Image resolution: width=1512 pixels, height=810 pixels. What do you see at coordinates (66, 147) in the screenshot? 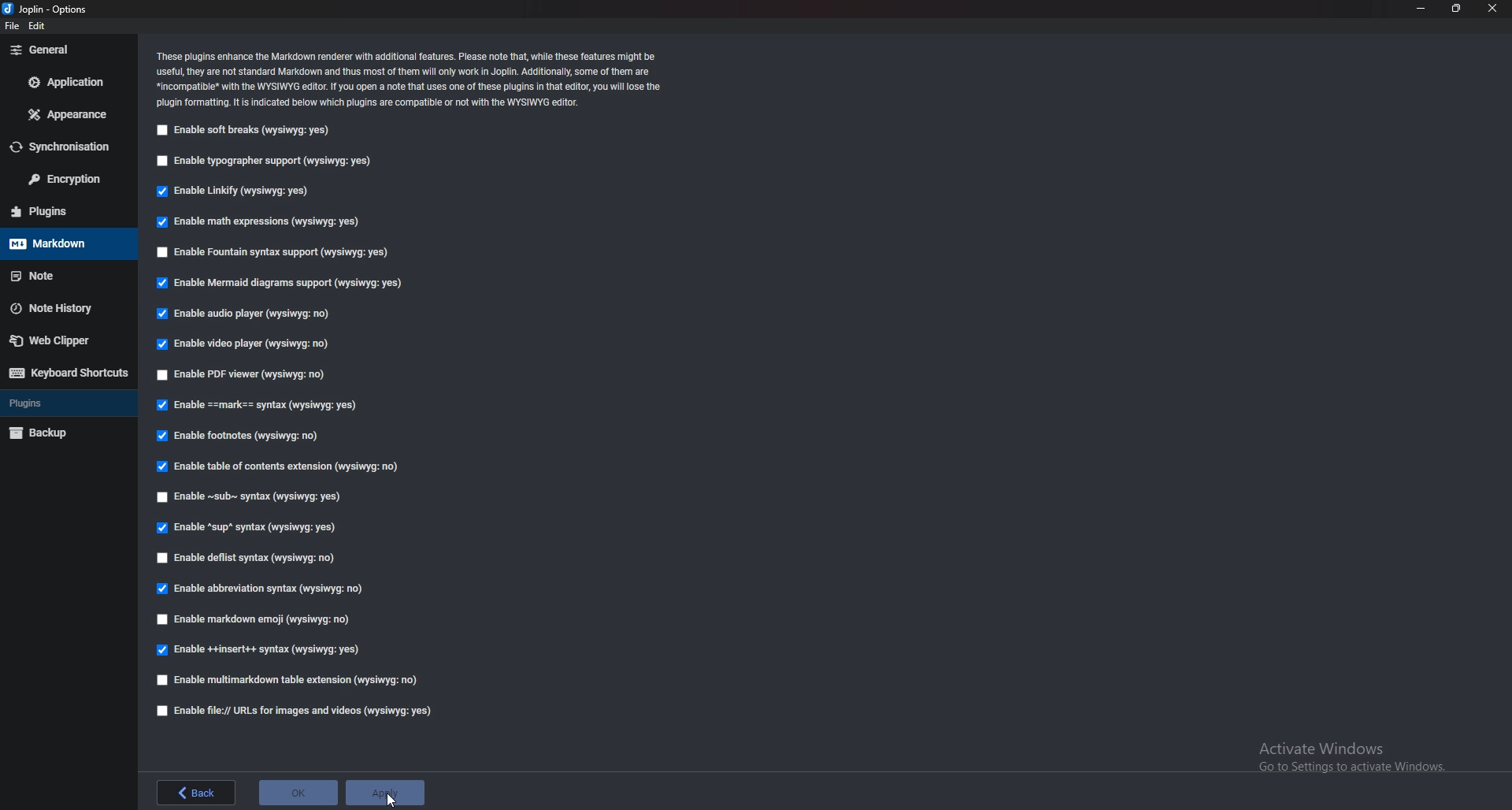
I see `Synchronization` at bounding box center [66, 147].